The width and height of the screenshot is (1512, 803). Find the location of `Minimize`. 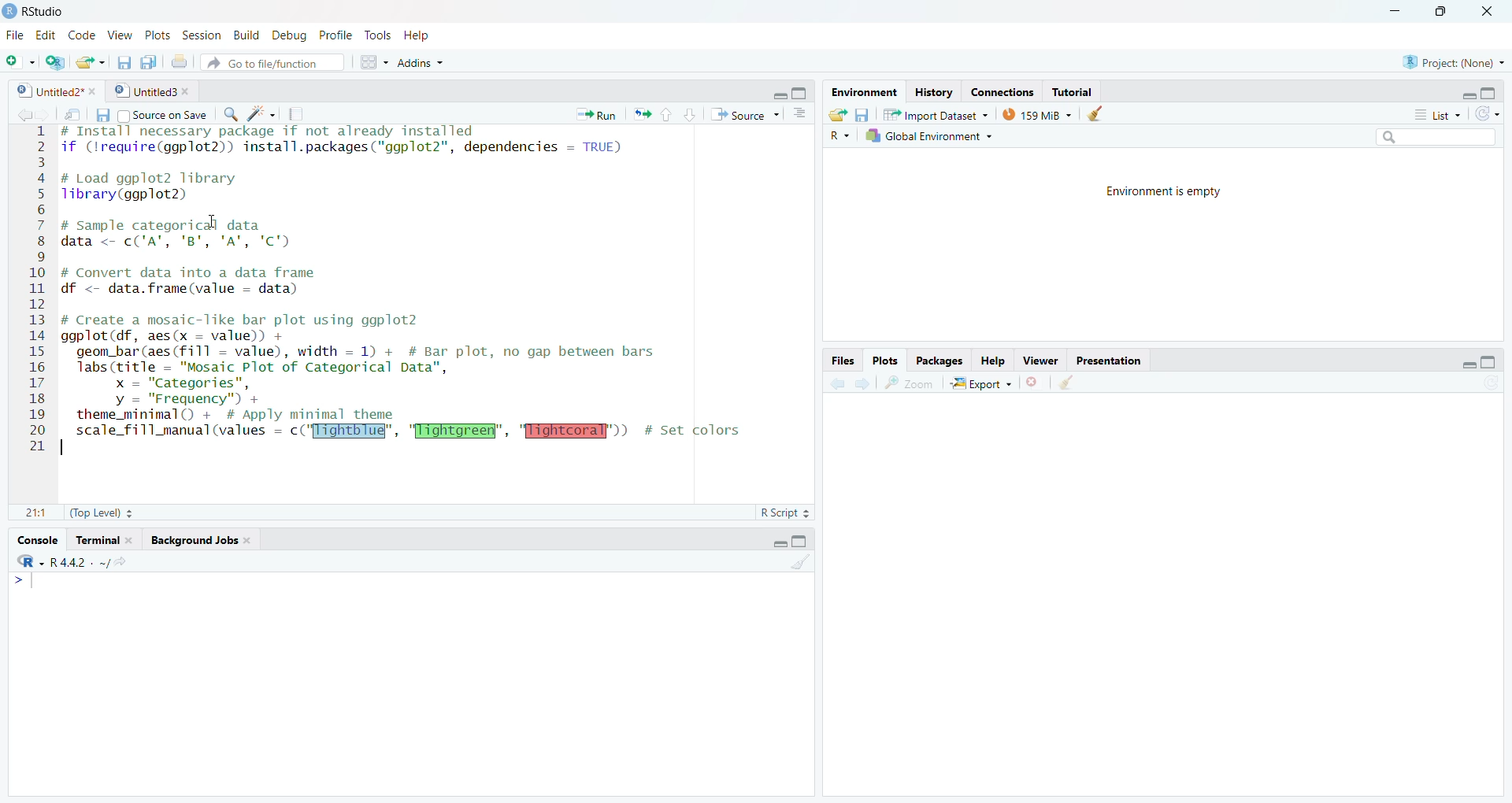

Minimize is located at coordinates (778, 542).